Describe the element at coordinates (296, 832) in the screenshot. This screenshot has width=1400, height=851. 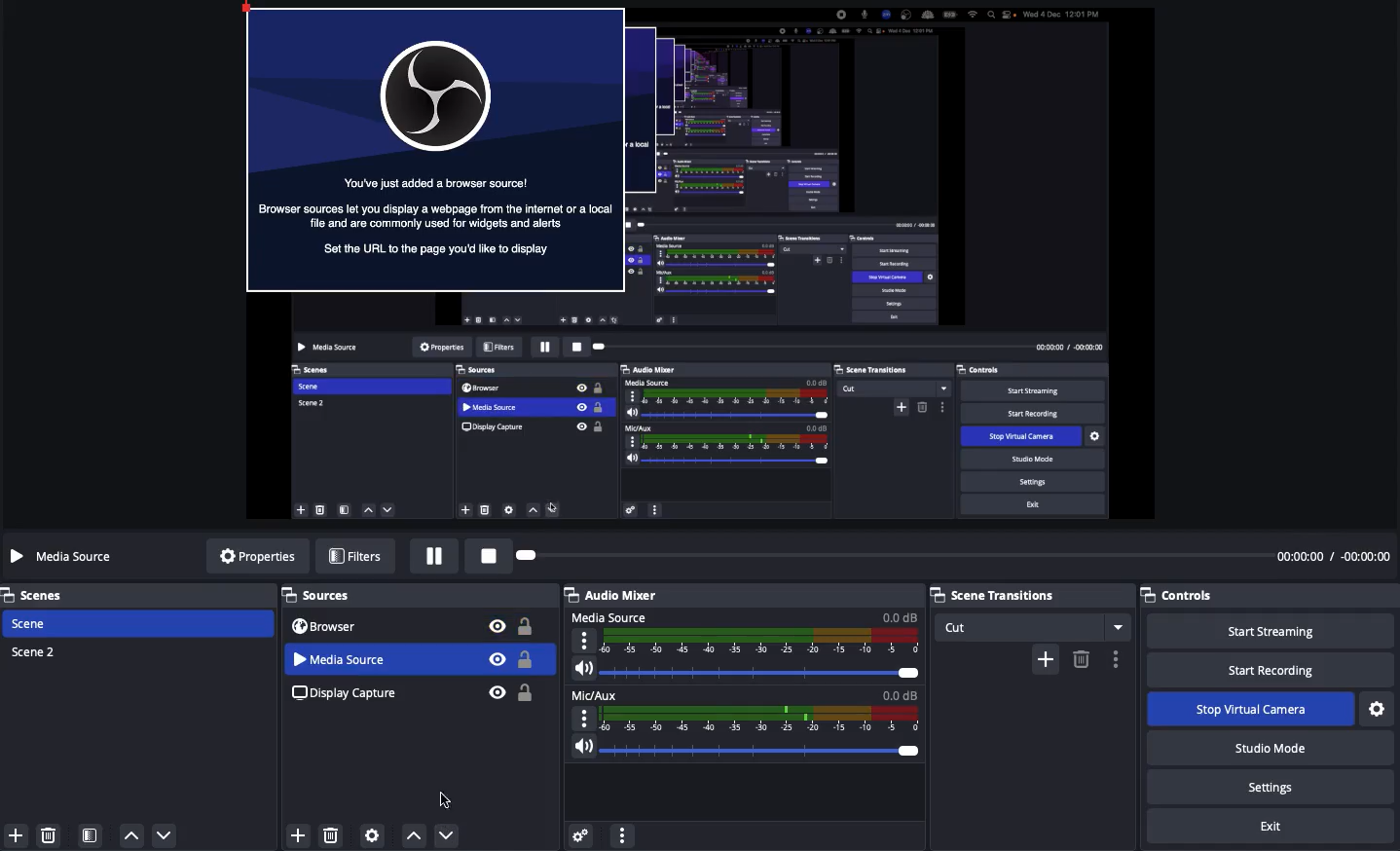
I see `Add` at that location.